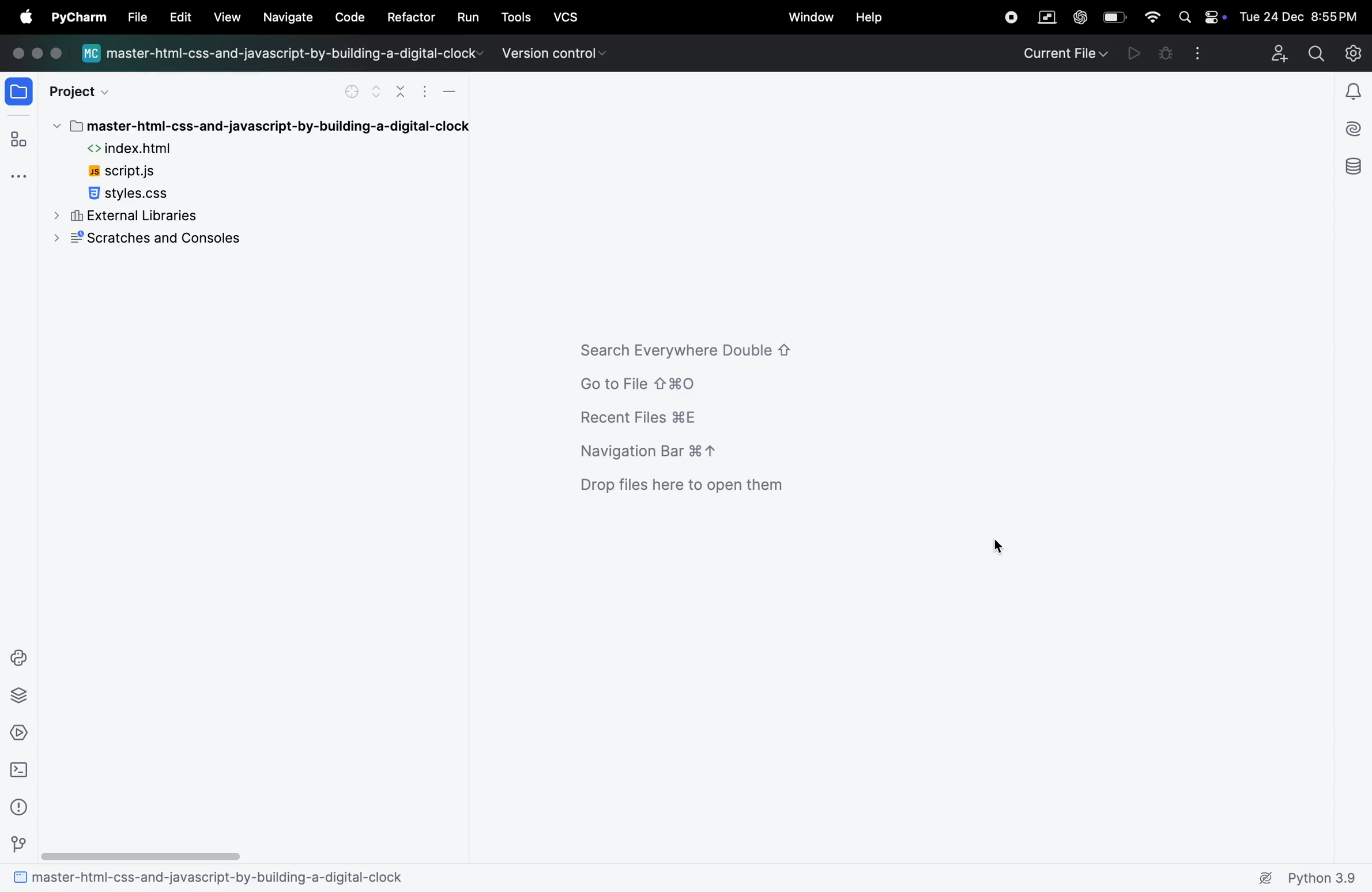  I want to click on navigation bar, so click(655, 452).